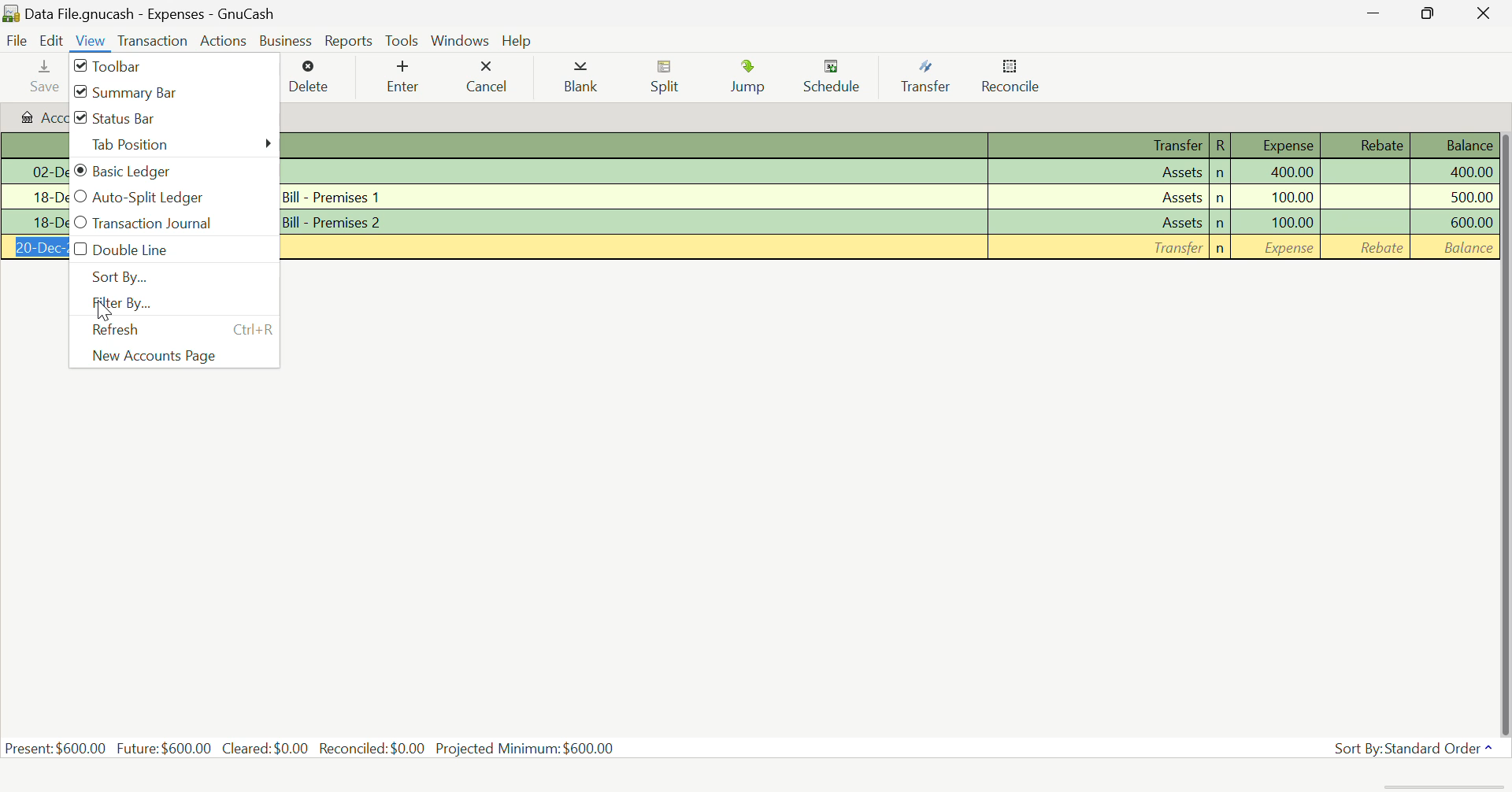 The height and width of the screenshot is (792, 1512). I want to click on Balance, so click(1451, 147).